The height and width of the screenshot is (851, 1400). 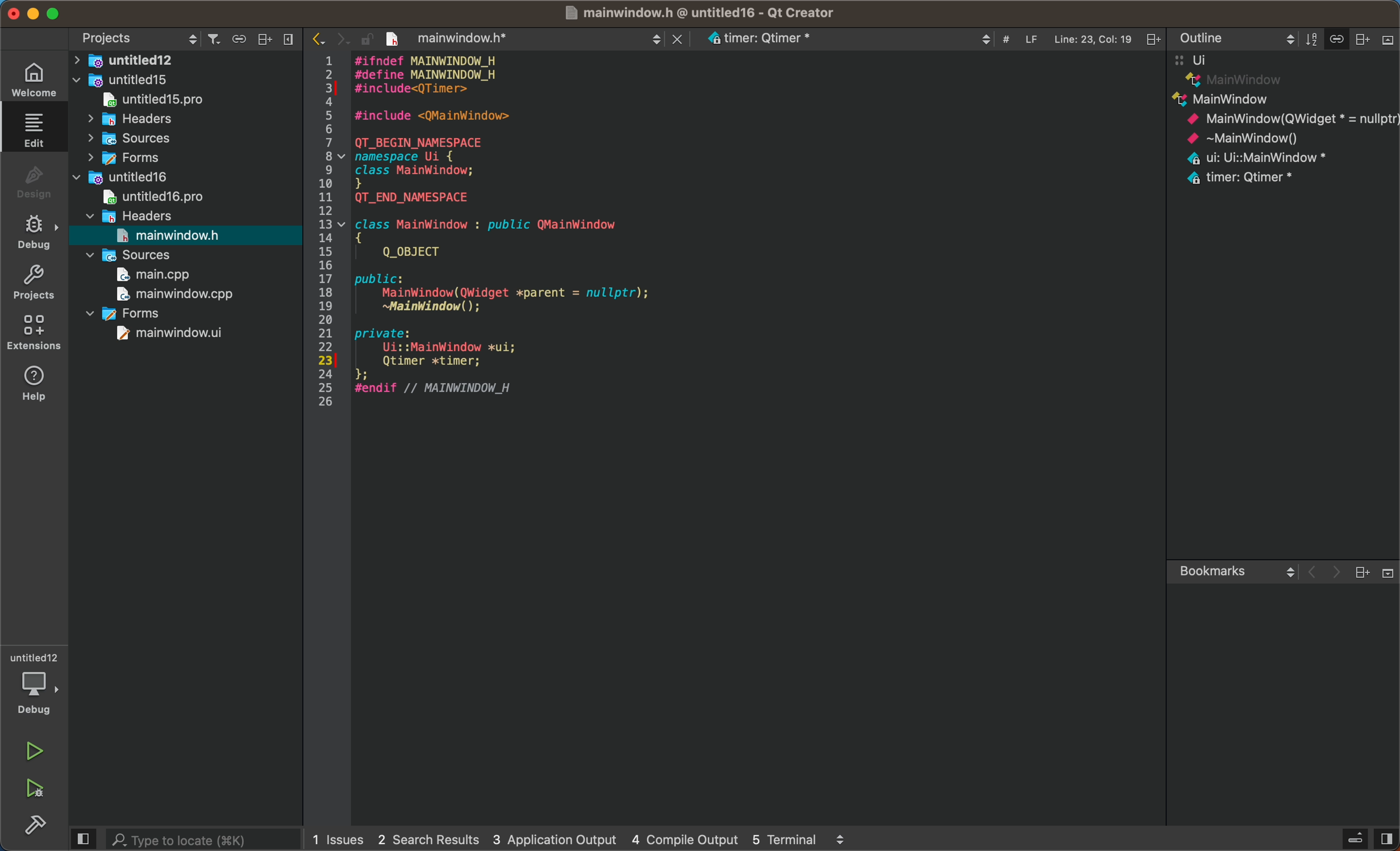 What do you see at coordinates (476, 38) in the screenshot?
I see `before save` at bounding box center [476, 38].